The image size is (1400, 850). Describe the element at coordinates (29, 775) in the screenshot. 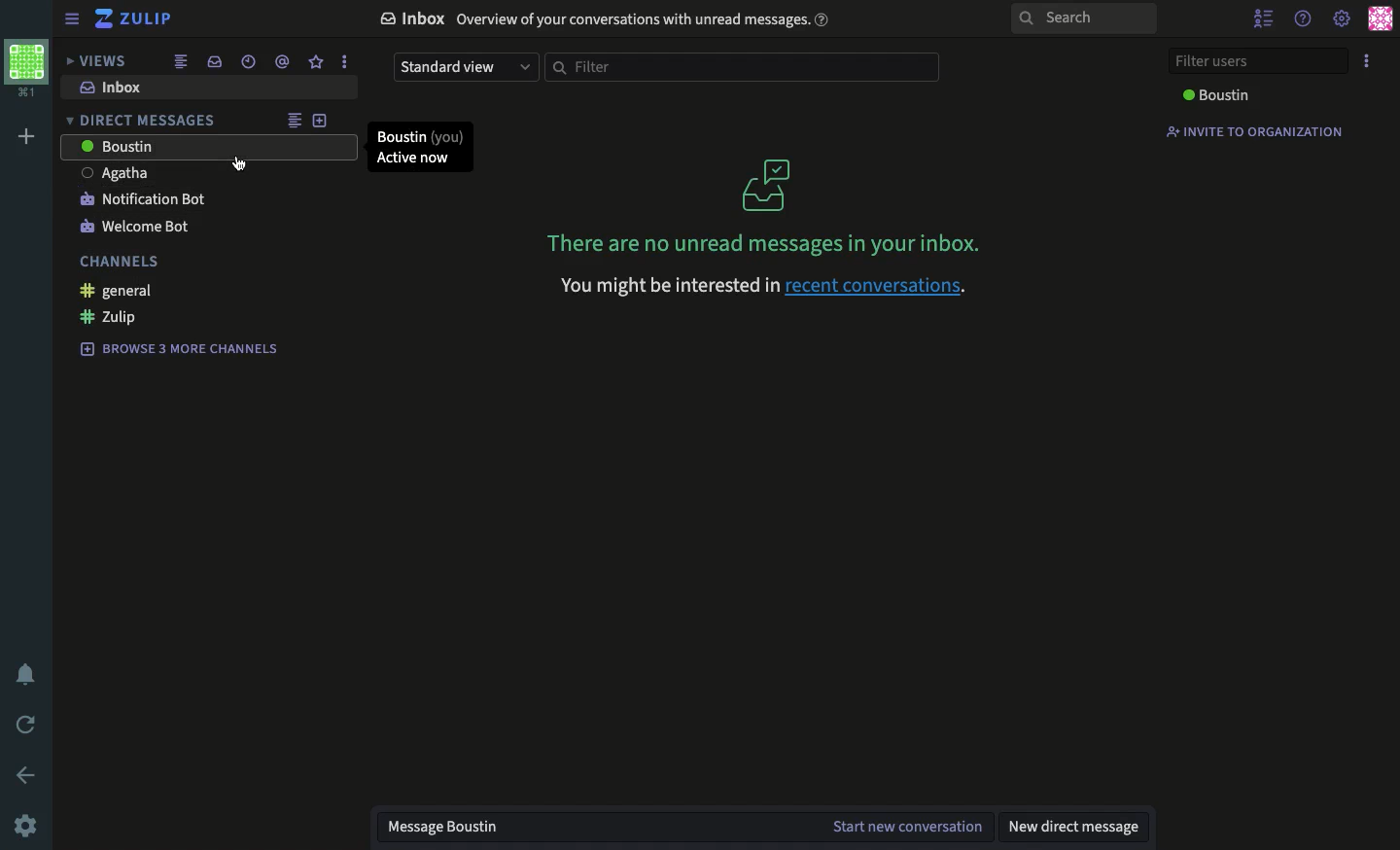

I see `back` at that location.